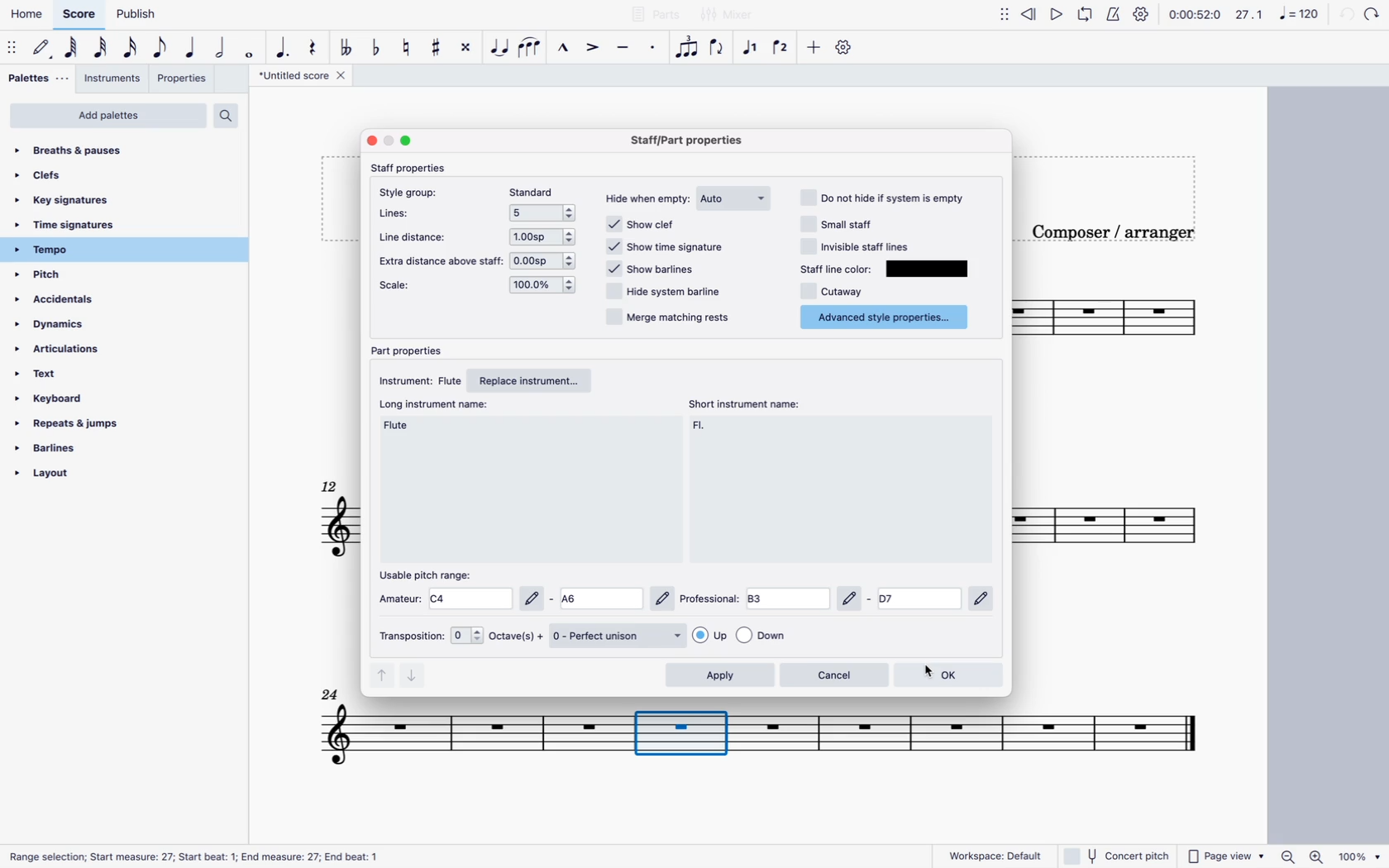 The height and width of the screenshot is (868, 1389). What do you see at coordinates (1225, 855) in the screenshot?
I see `page view` at bounding box center [1225, 855].